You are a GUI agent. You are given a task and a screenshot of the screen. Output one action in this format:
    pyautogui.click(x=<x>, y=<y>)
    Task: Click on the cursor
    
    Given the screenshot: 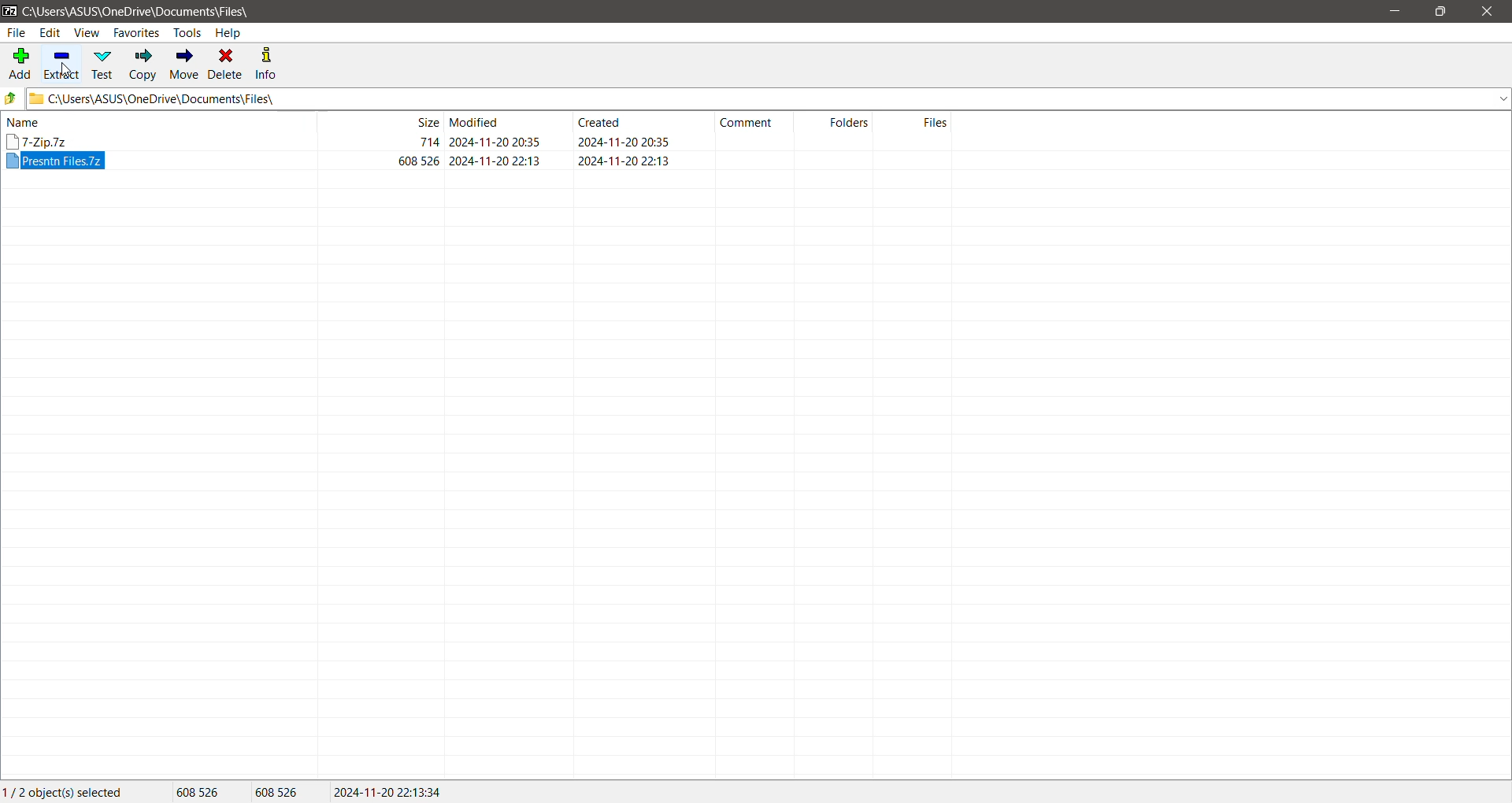 What is the action you would take?
    pyautogui.click(x=66, y=68)
    